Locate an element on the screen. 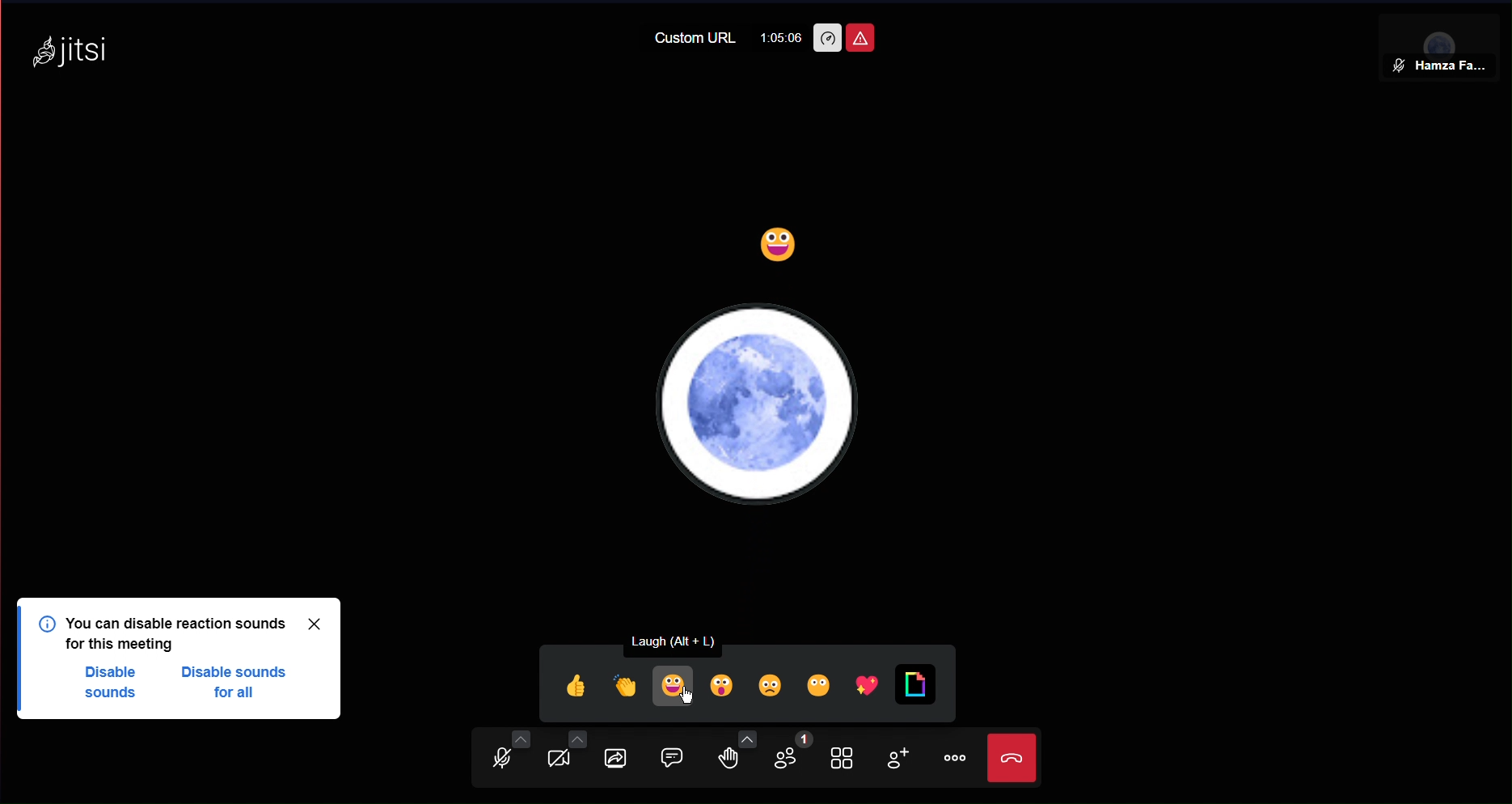 The image size is (1512, 804). Raise Hand is located at coordinates (741, 760).